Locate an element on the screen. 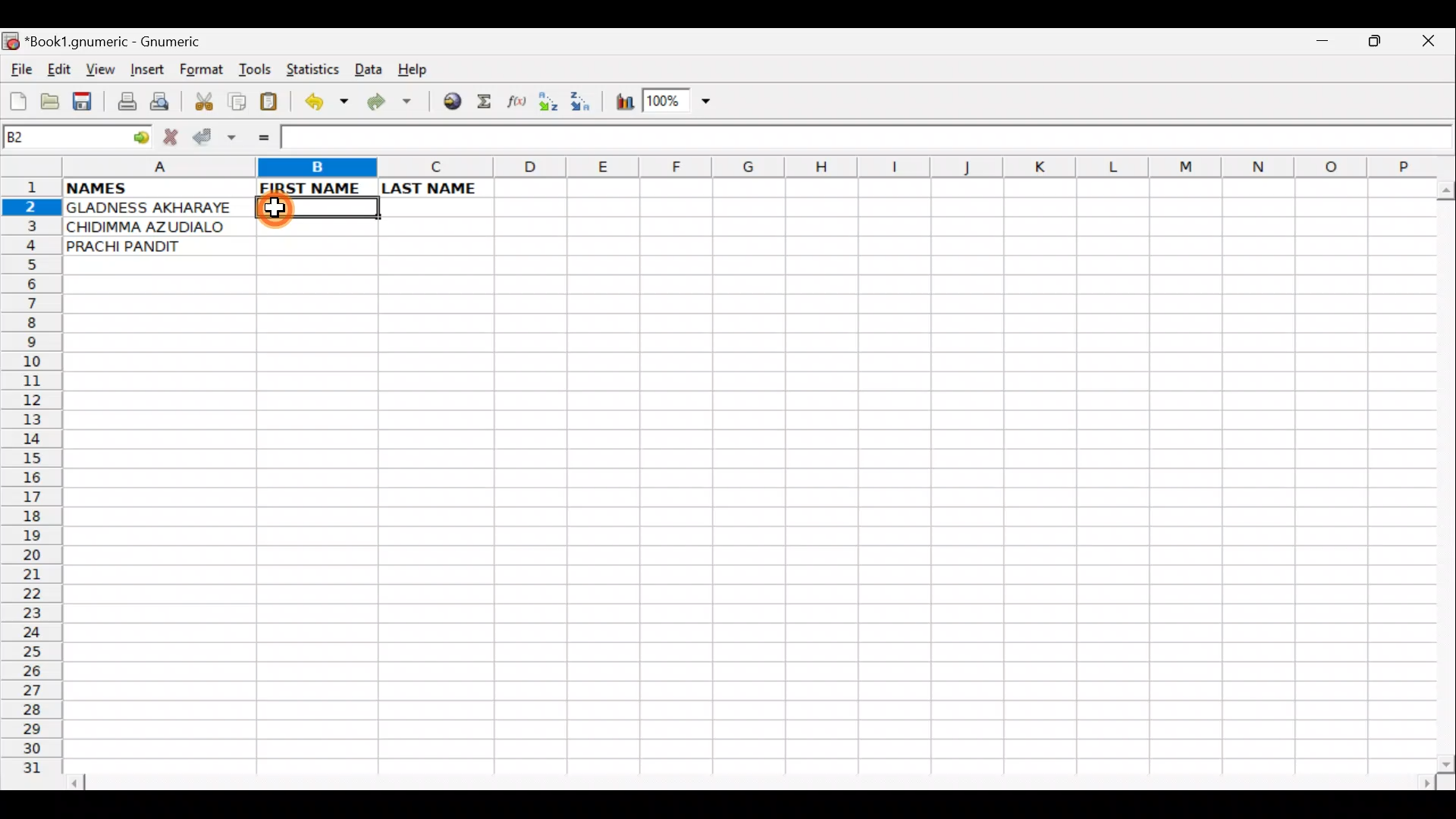 The height and width of the screenshot is (819, 1456). Help is located at coordinates (413, 70).